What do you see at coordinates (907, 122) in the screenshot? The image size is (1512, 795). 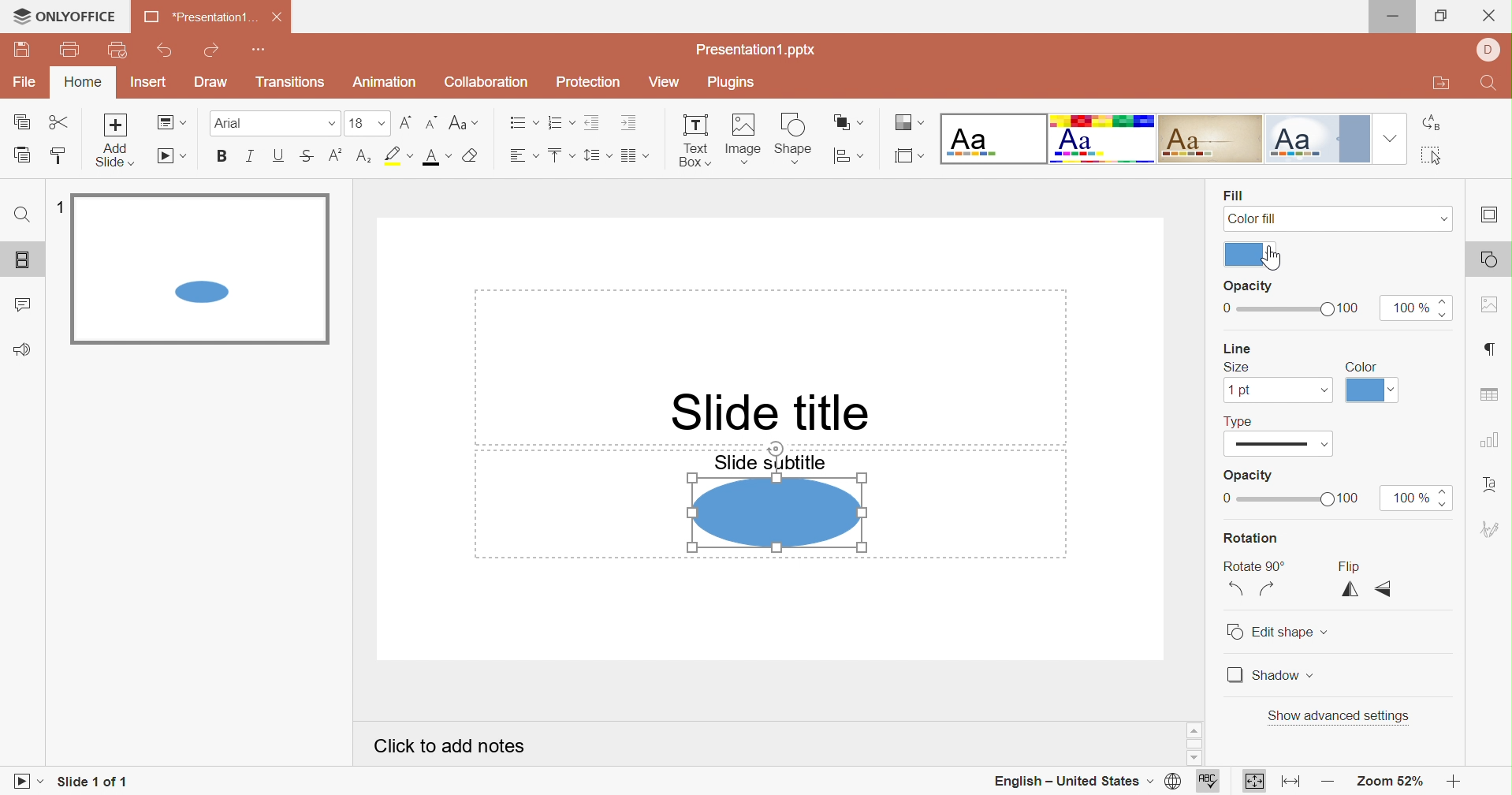 I see `Change color theme` at bounding box center [907, 122].